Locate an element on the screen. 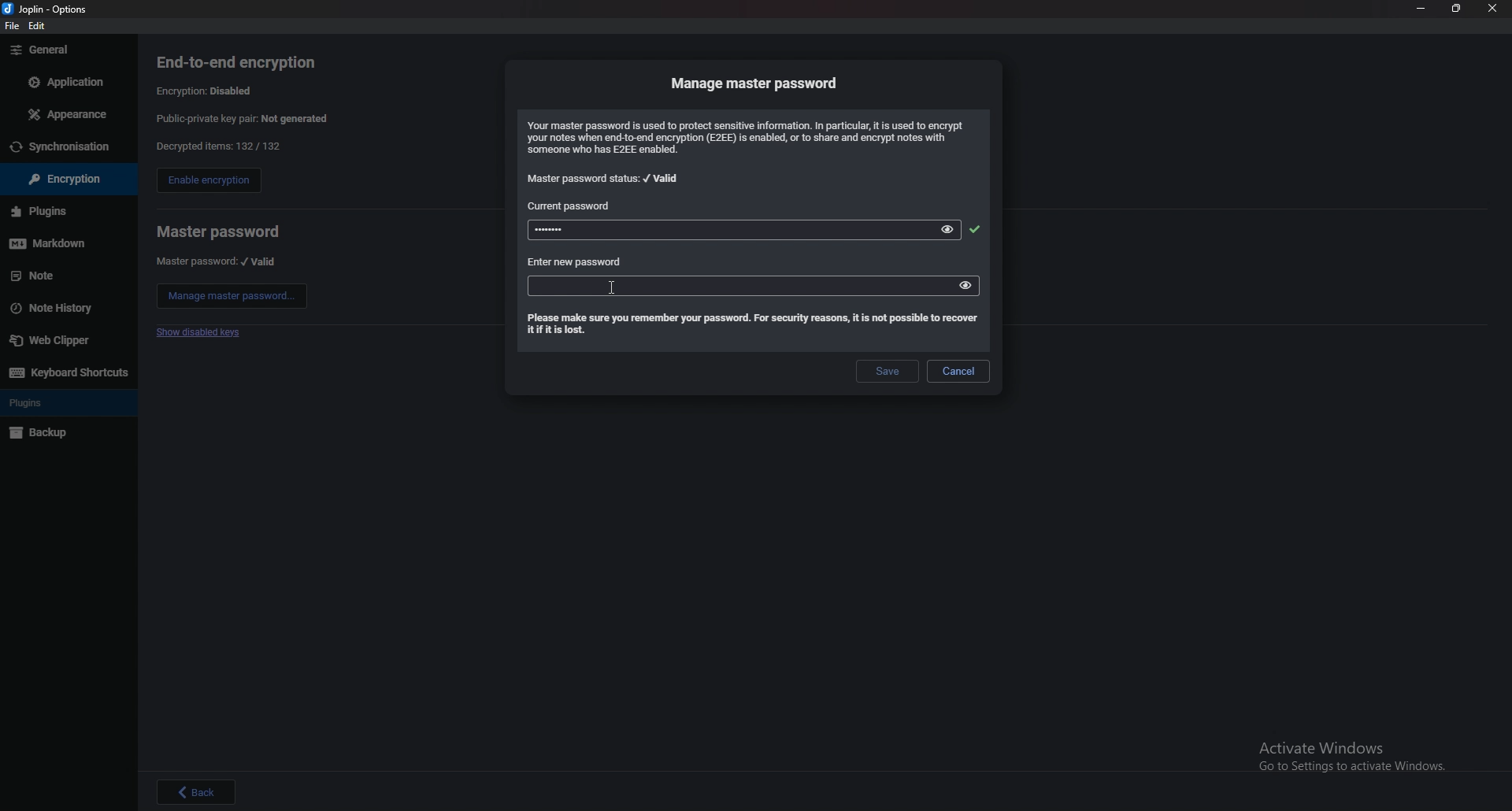  cancel is located at coordinates (958, 371).